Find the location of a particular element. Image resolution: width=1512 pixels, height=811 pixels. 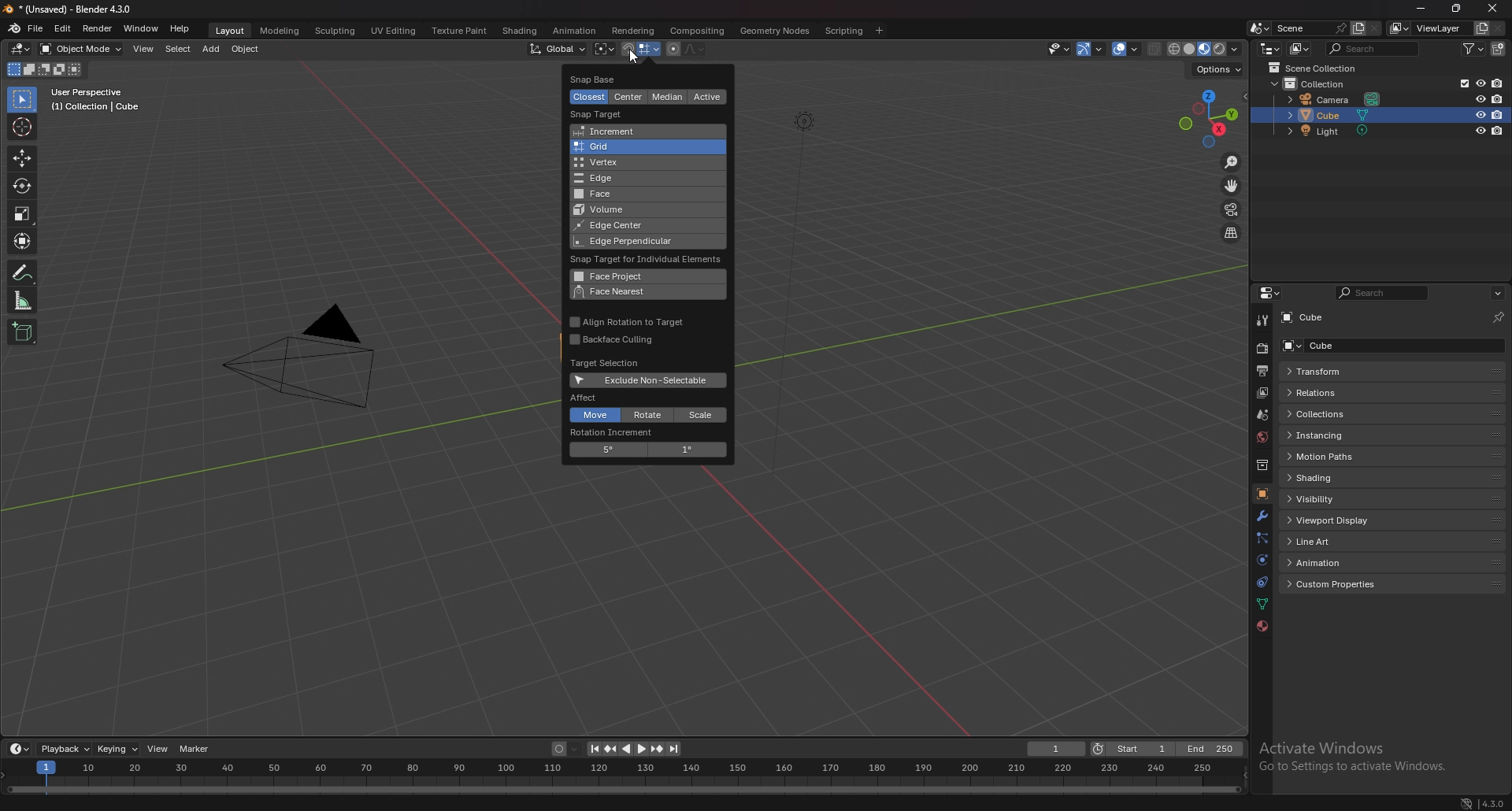

viewport display is located at coordinates (1335, 520).